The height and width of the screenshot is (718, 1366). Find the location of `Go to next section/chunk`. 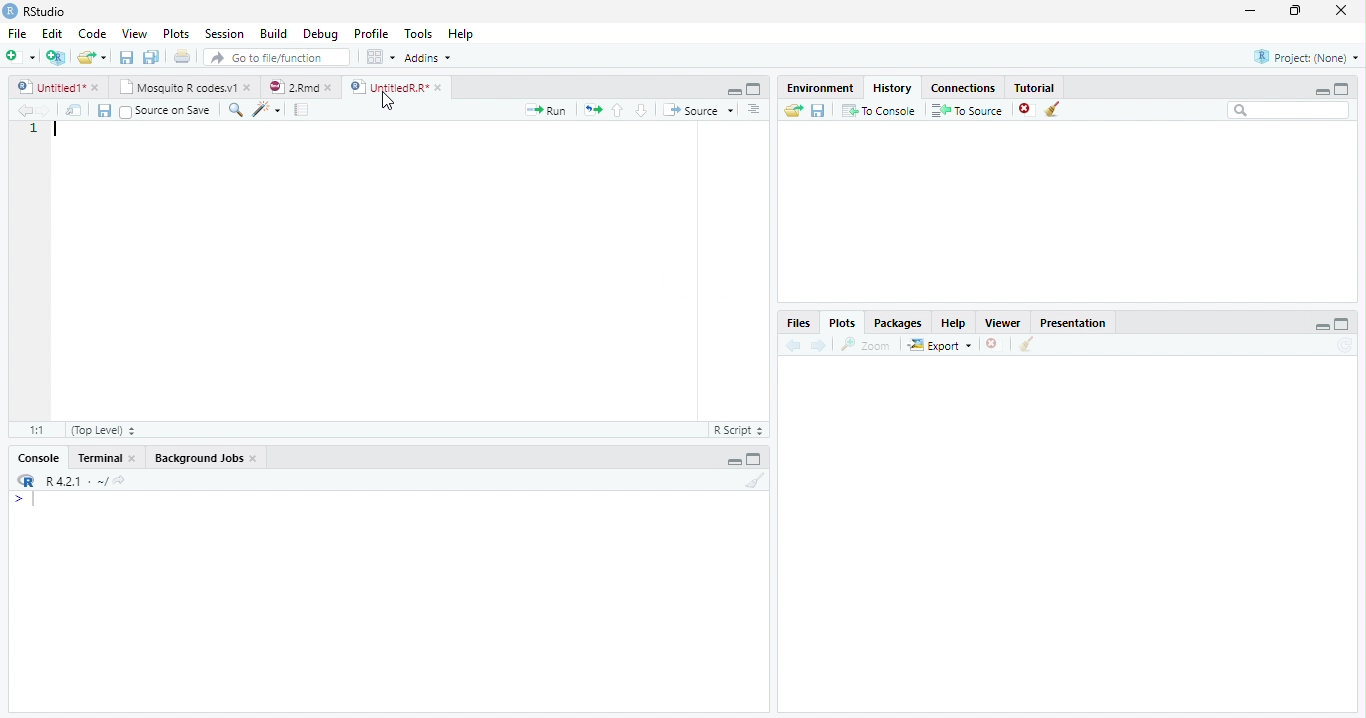

Go to next section/chunk is located at coordinates (641, 110).